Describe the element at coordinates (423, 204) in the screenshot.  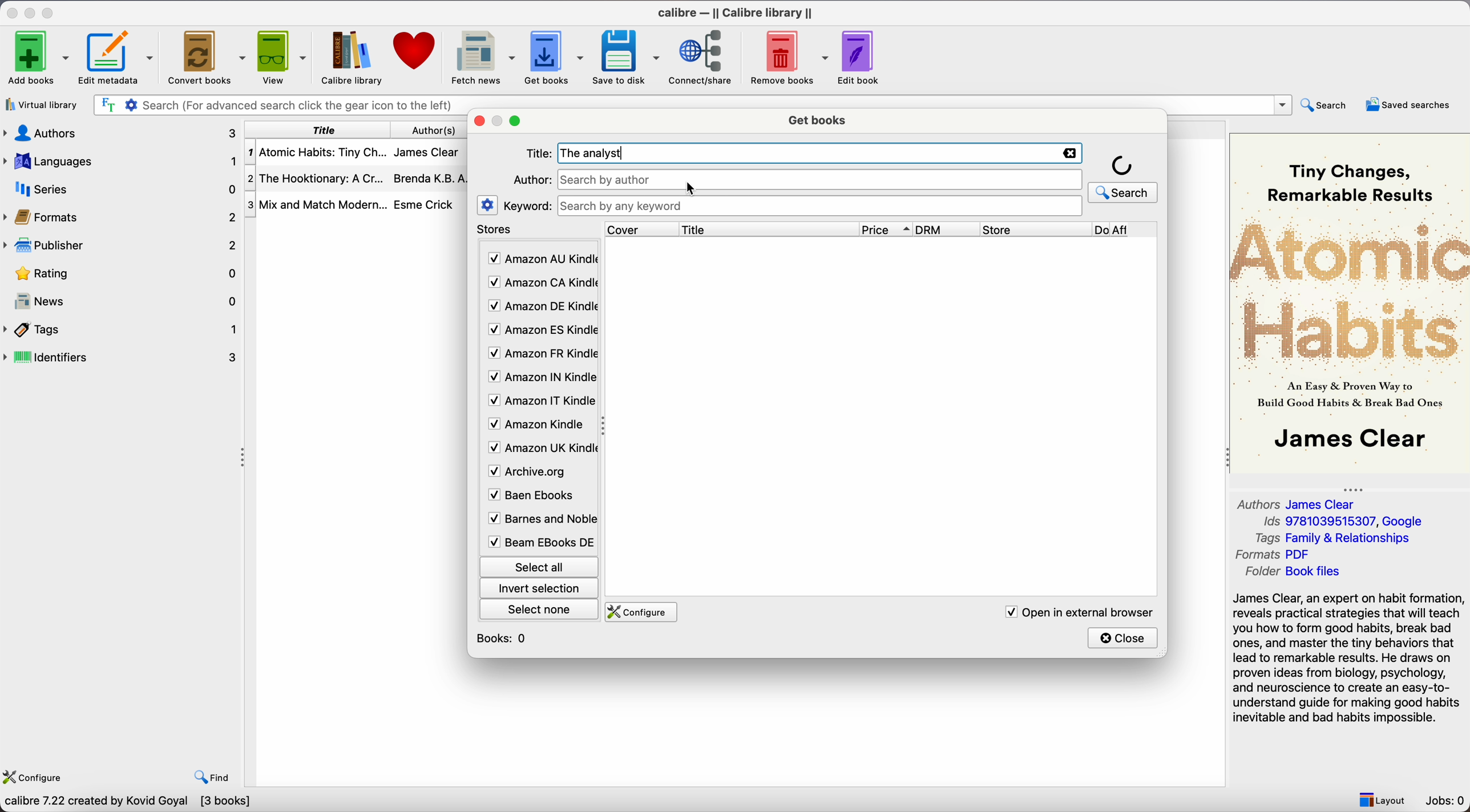
I see `Esme Crick` at that location.